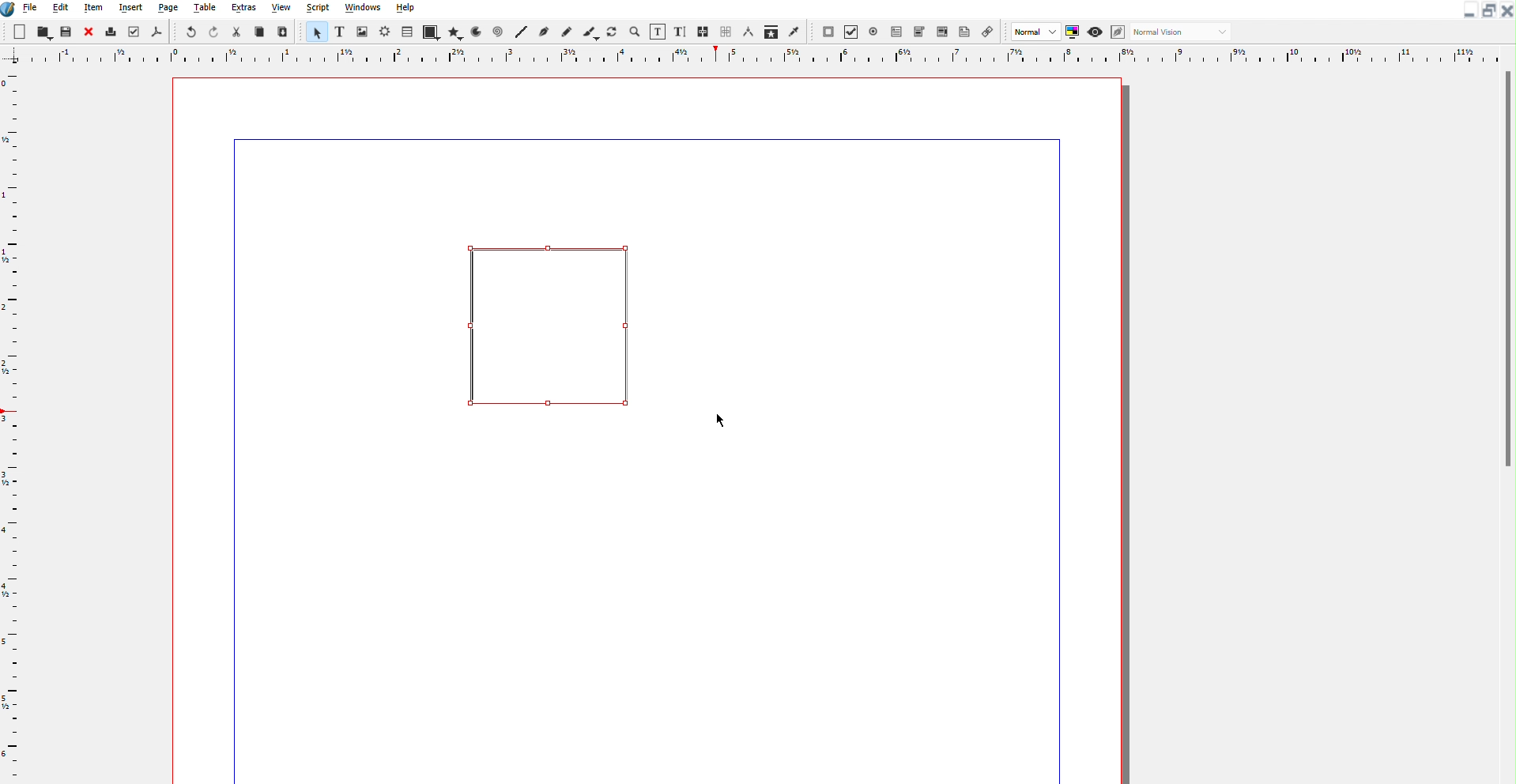 Image resolution: width=1516 pixels, height=784 pixels. Describe the element at coordinates (1095, 32) in the screenshot. I see `Preview Mode` at that location.